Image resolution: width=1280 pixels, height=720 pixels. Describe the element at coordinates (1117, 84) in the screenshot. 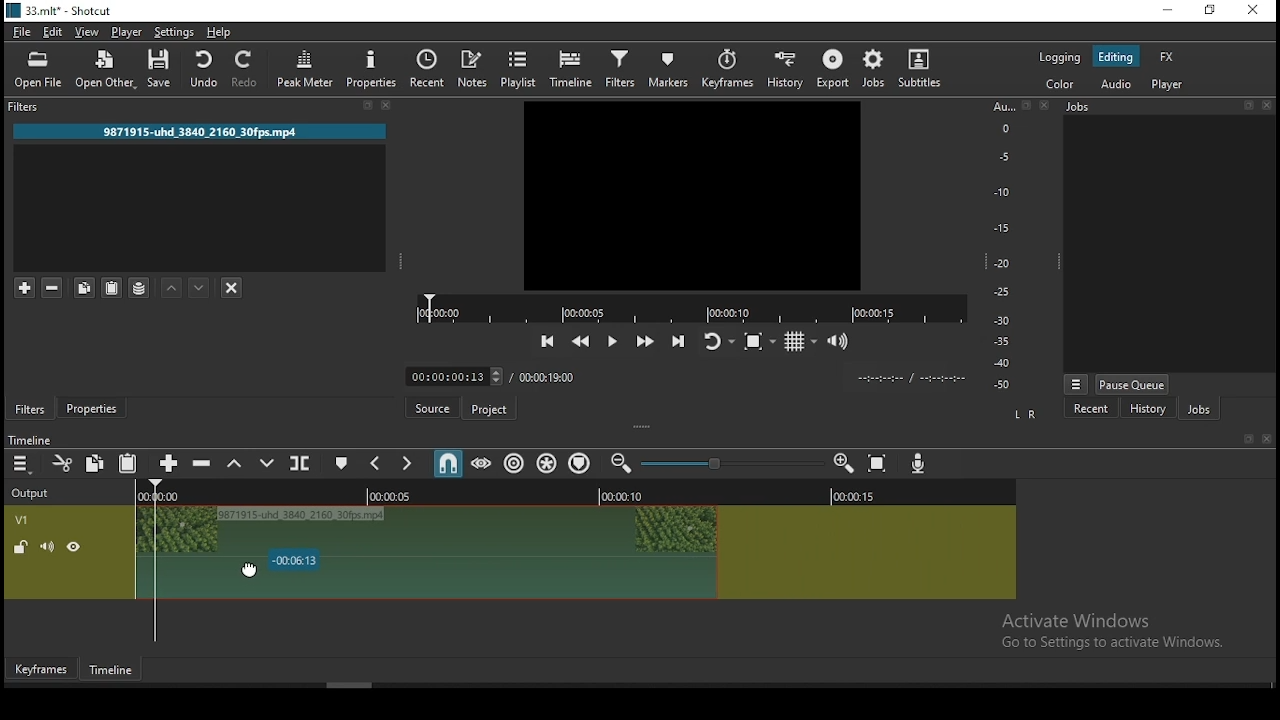

I see `audio` at that location.